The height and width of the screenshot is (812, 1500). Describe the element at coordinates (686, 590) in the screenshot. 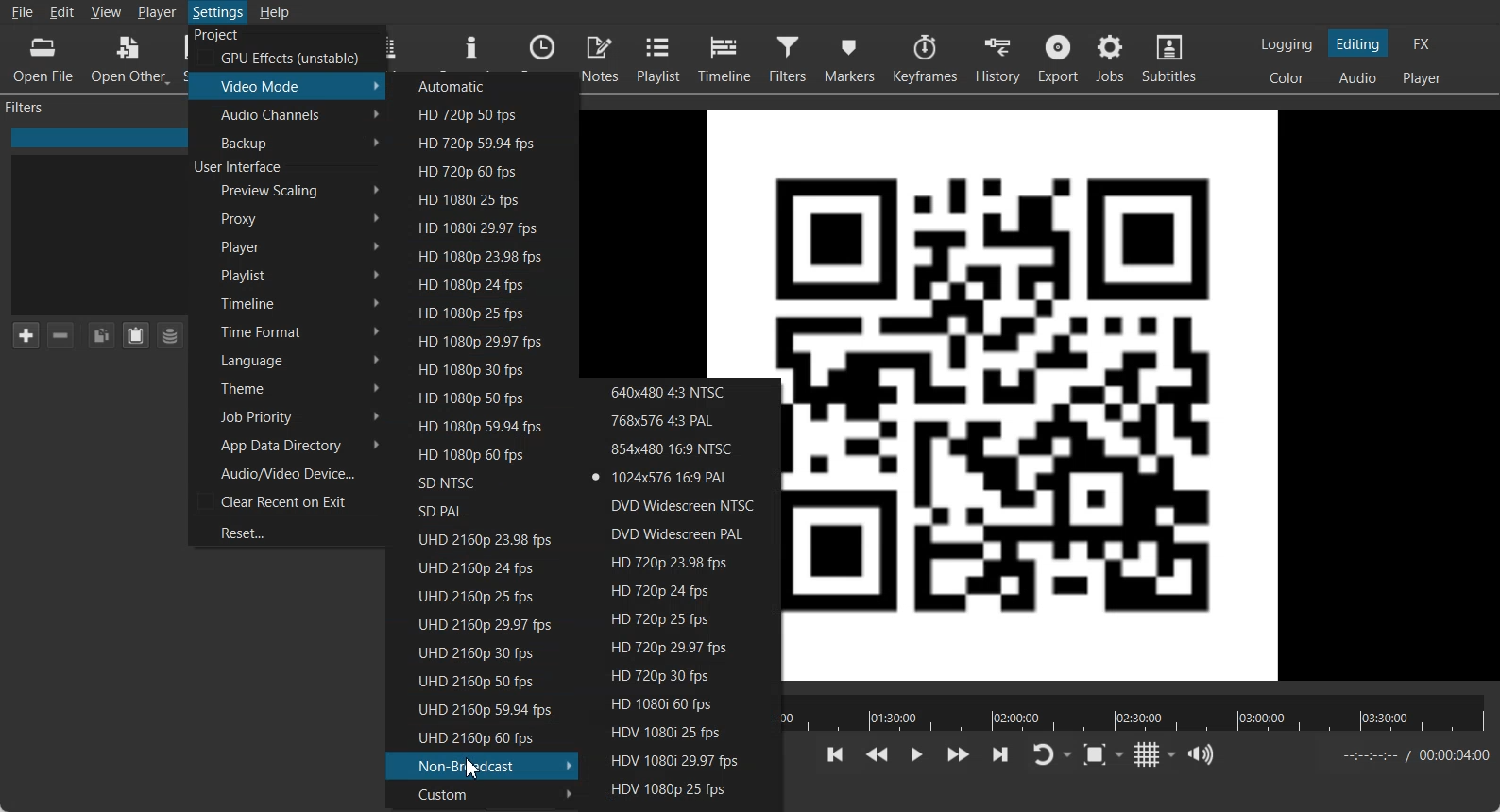

I see `HD 720p 24 fps` at that location.